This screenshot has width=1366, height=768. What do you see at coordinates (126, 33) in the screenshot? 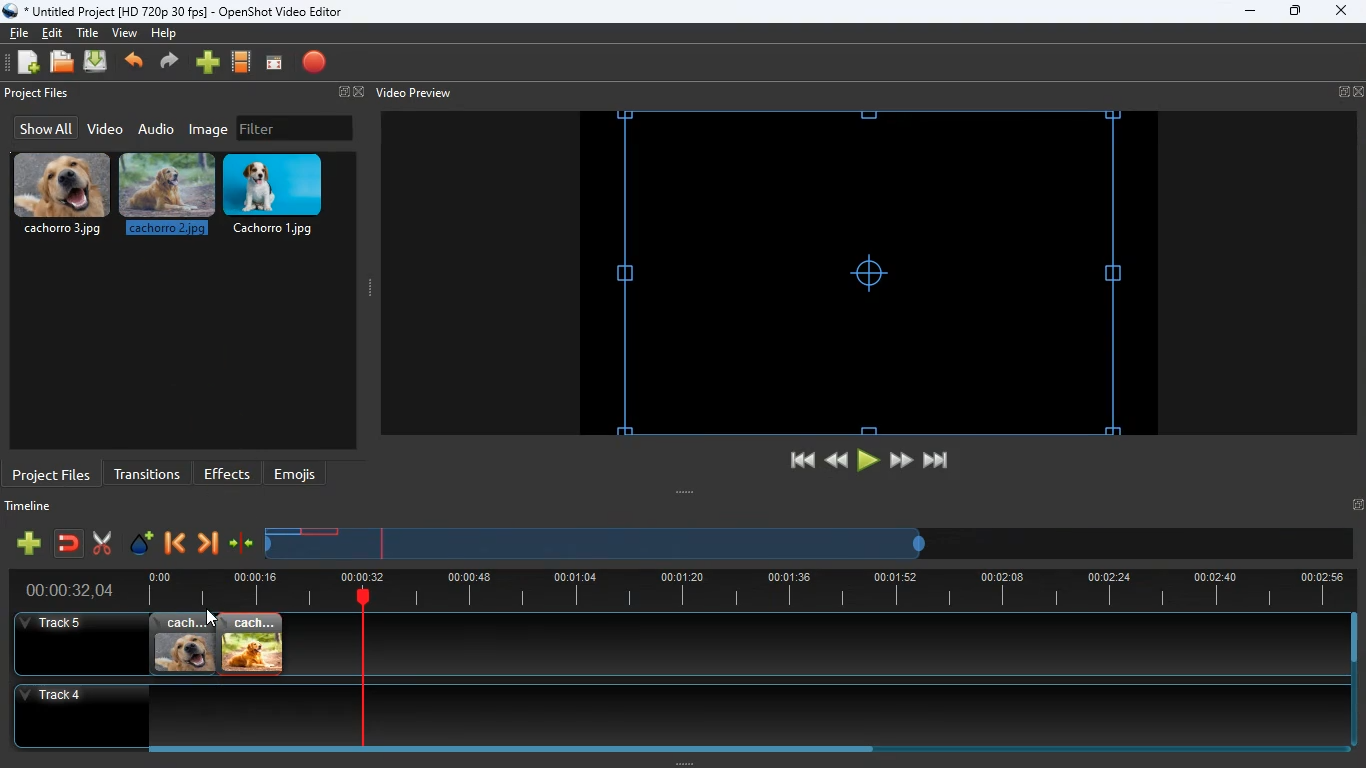
I see `view` at bounding box center [126, 33].